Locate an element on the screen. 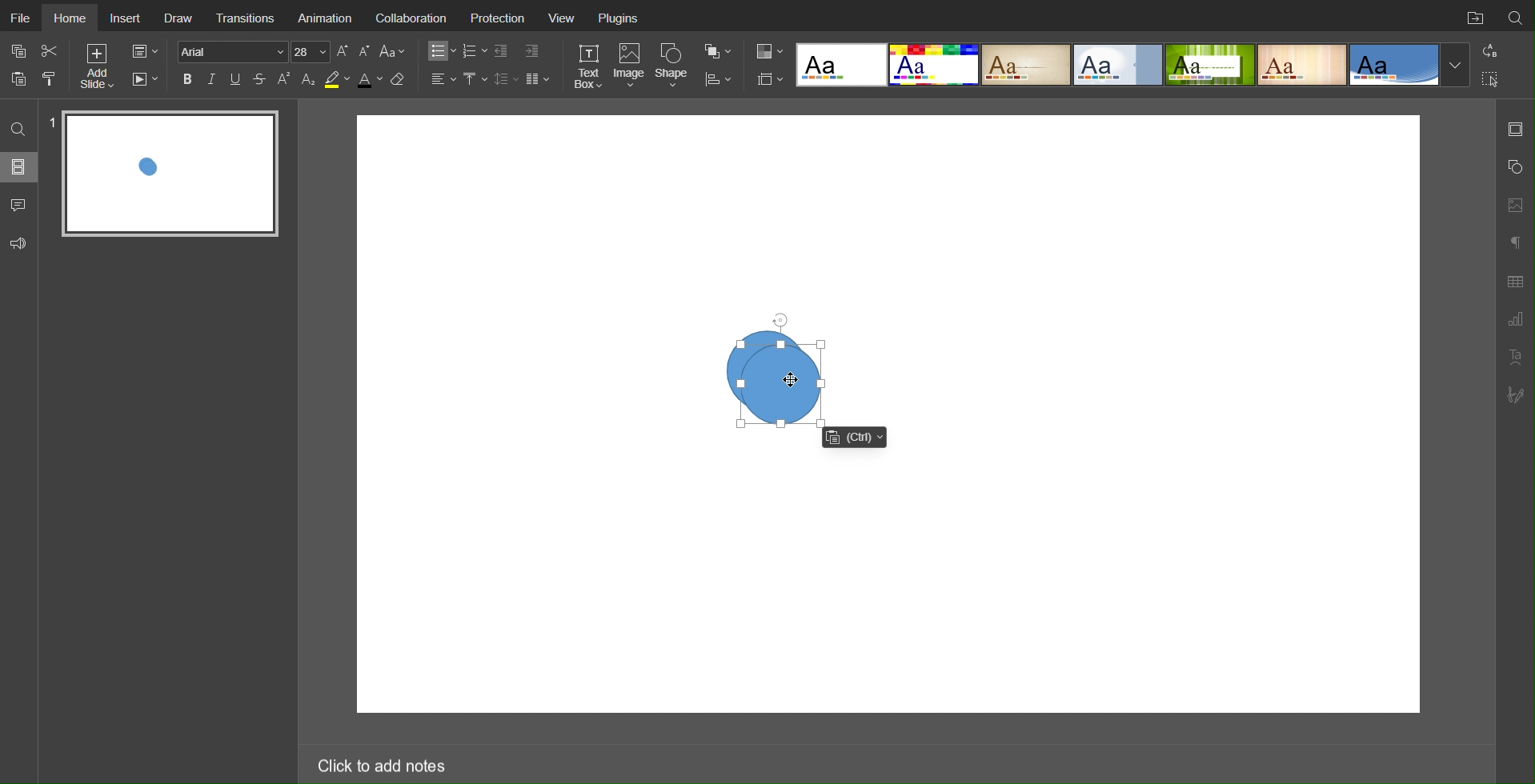  Cursor is located at coordinates (795, 379).